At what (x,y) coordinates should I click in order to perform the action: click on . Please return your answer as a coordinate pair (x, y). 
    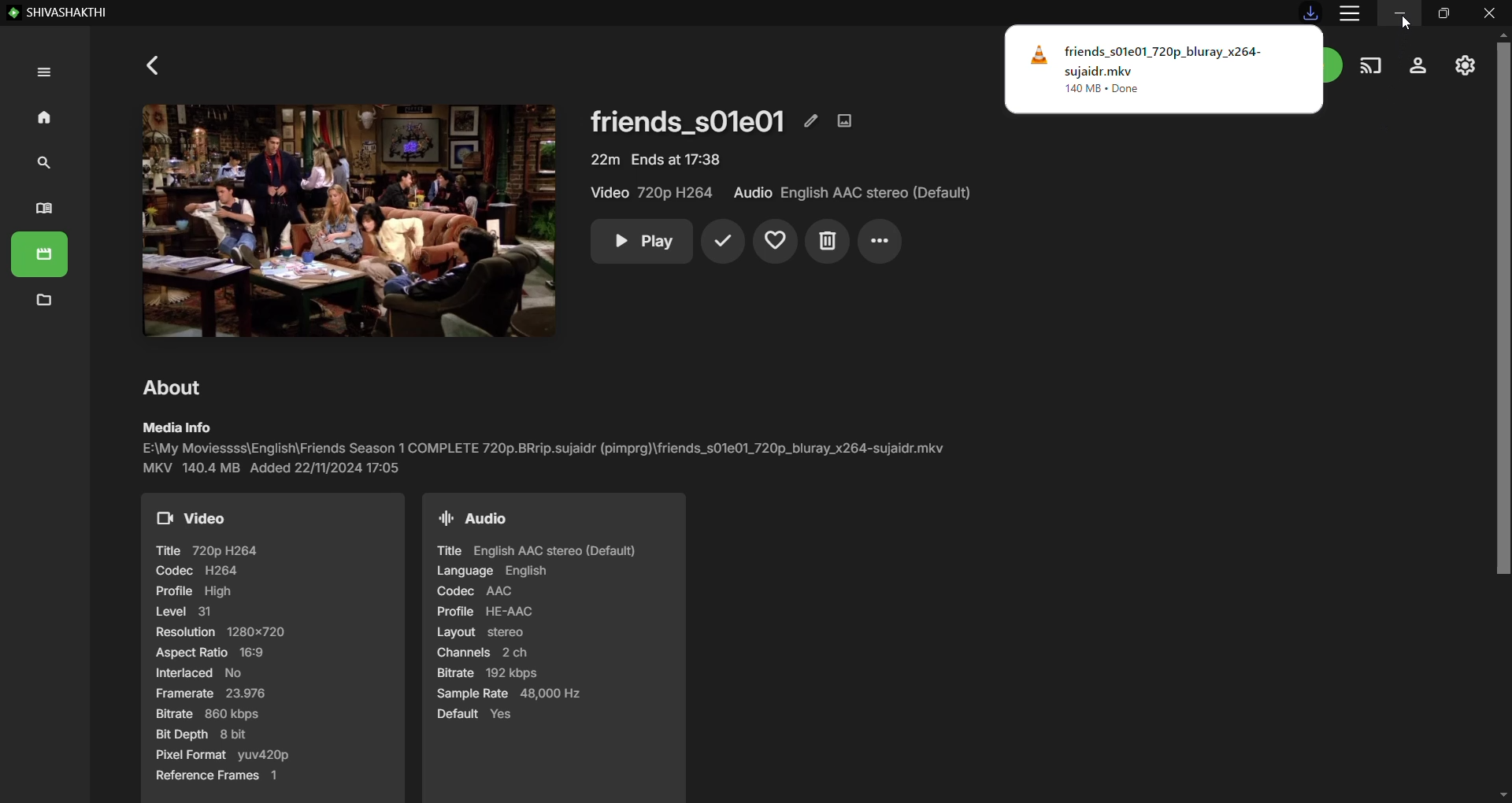
    Looking at the image, I should click on (157, 66).